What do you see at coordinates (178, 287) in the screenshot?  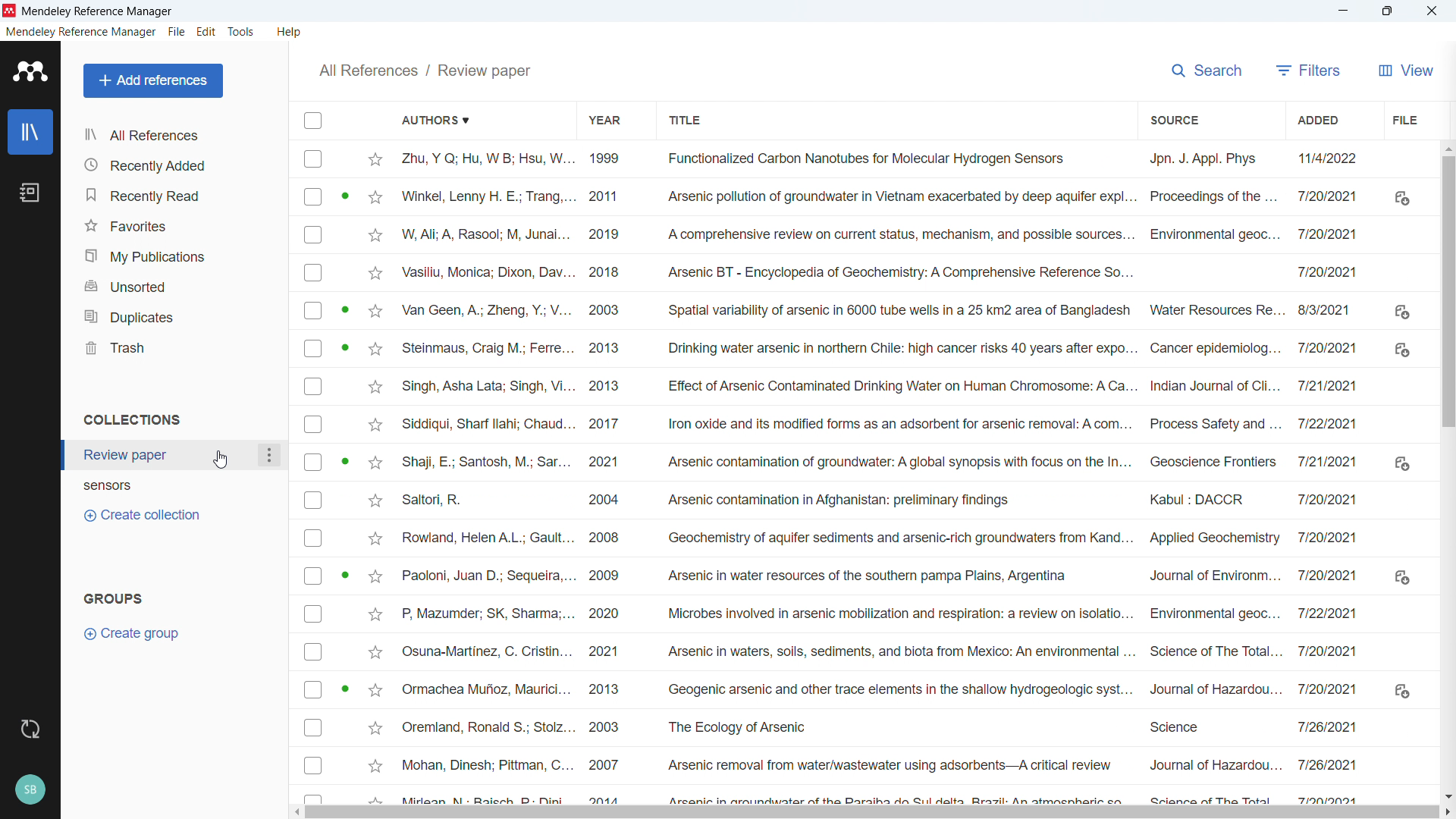 I see `Unsorted ` at bounding box center [178, 287].